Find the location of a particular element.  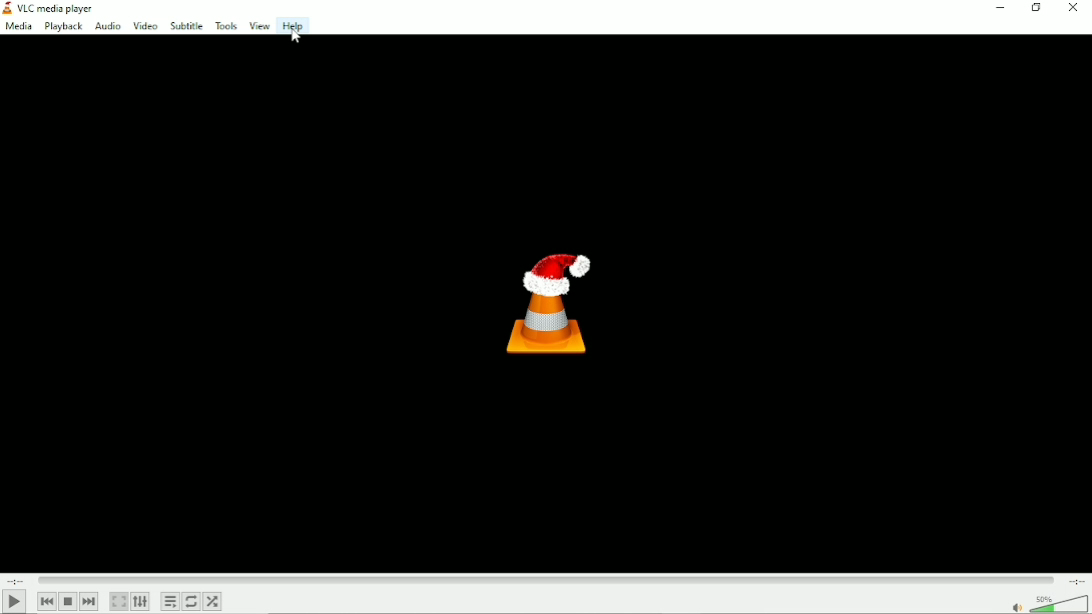

Toggle video in fullscreen is located at coordinates (119, 601).